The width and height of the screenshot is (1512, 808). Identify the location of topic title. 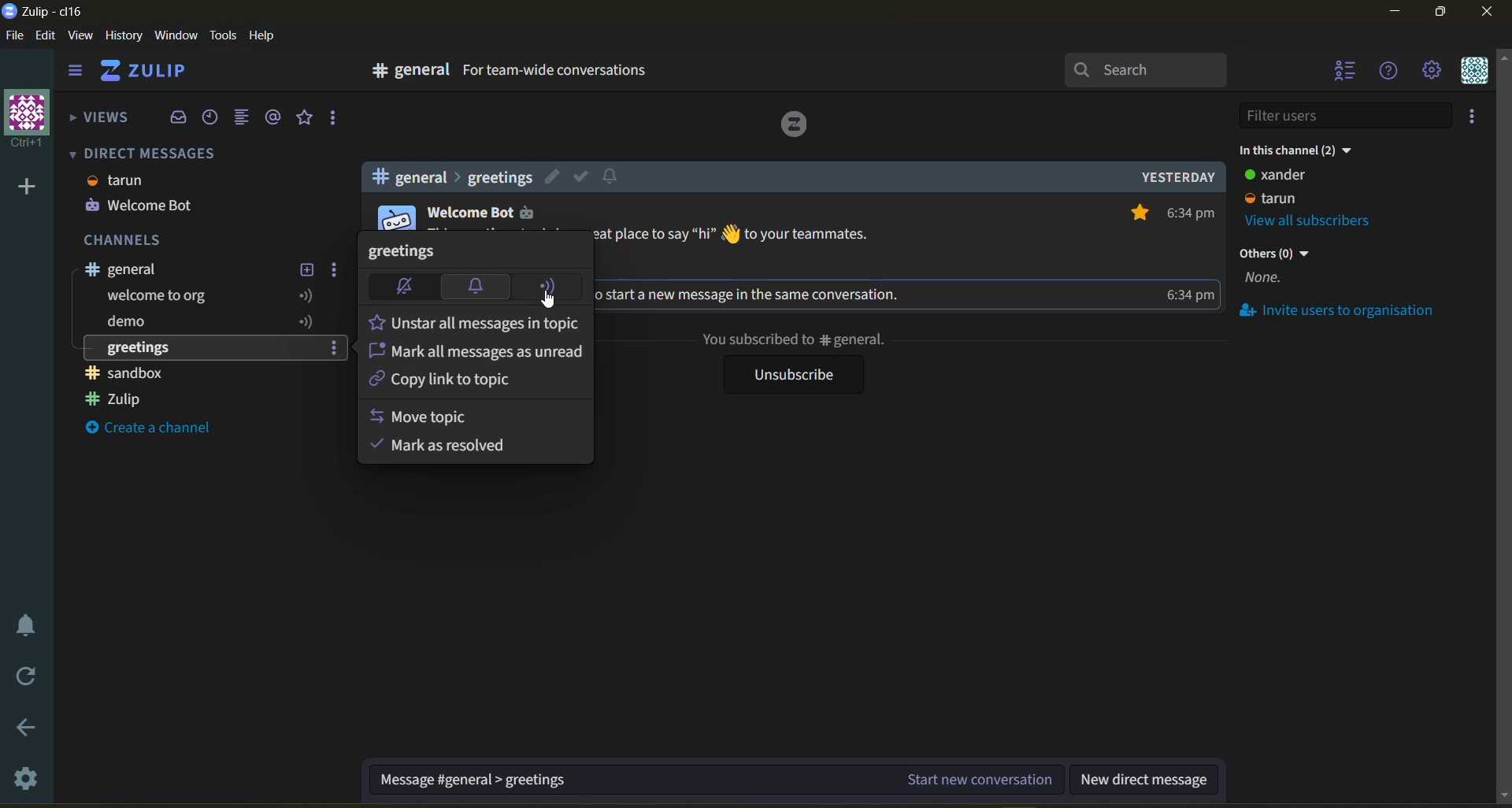
(405, 252).